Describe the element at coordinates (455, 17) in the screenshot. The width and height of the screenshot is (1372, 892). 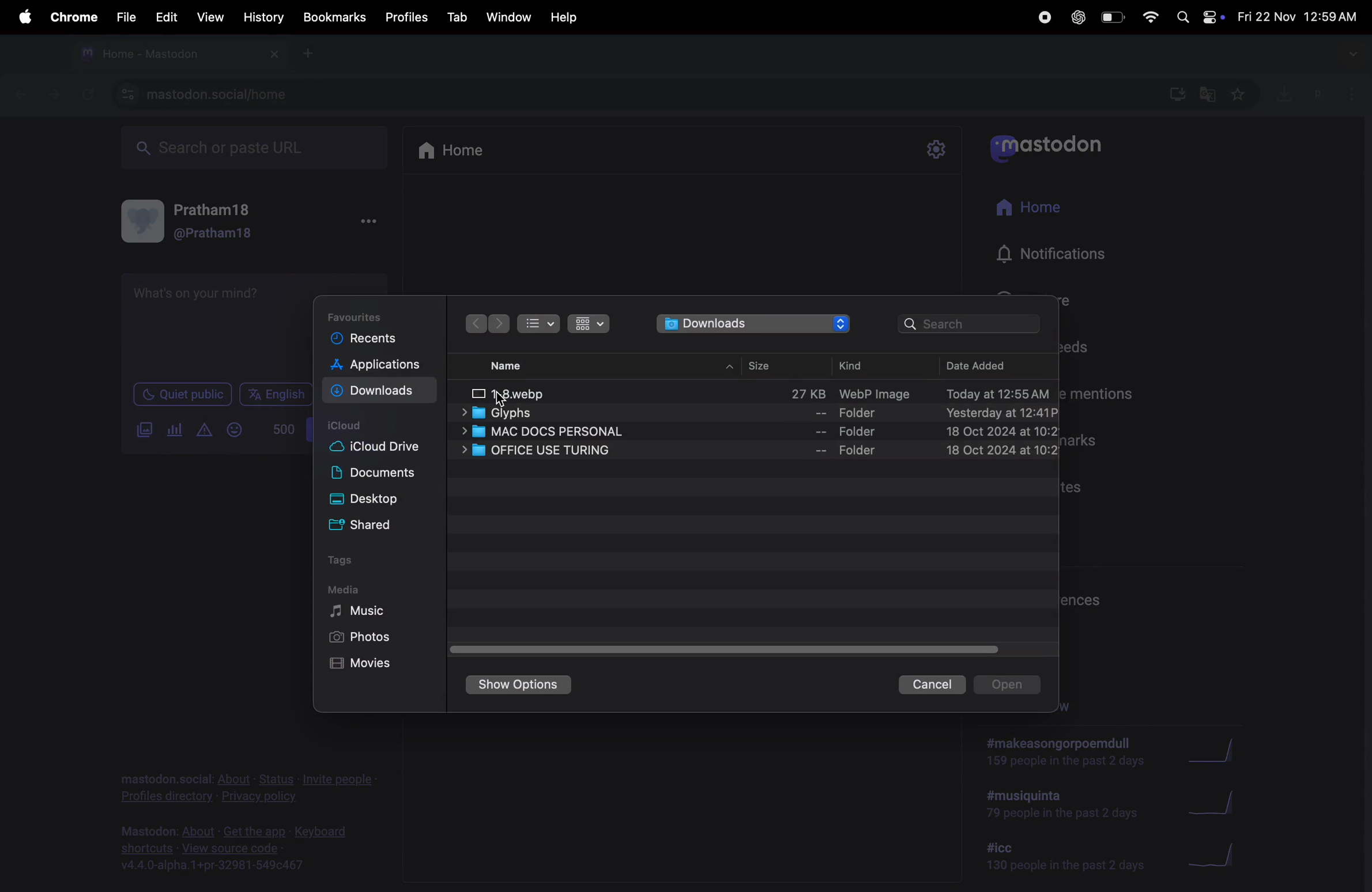
I see `tab` at that location.